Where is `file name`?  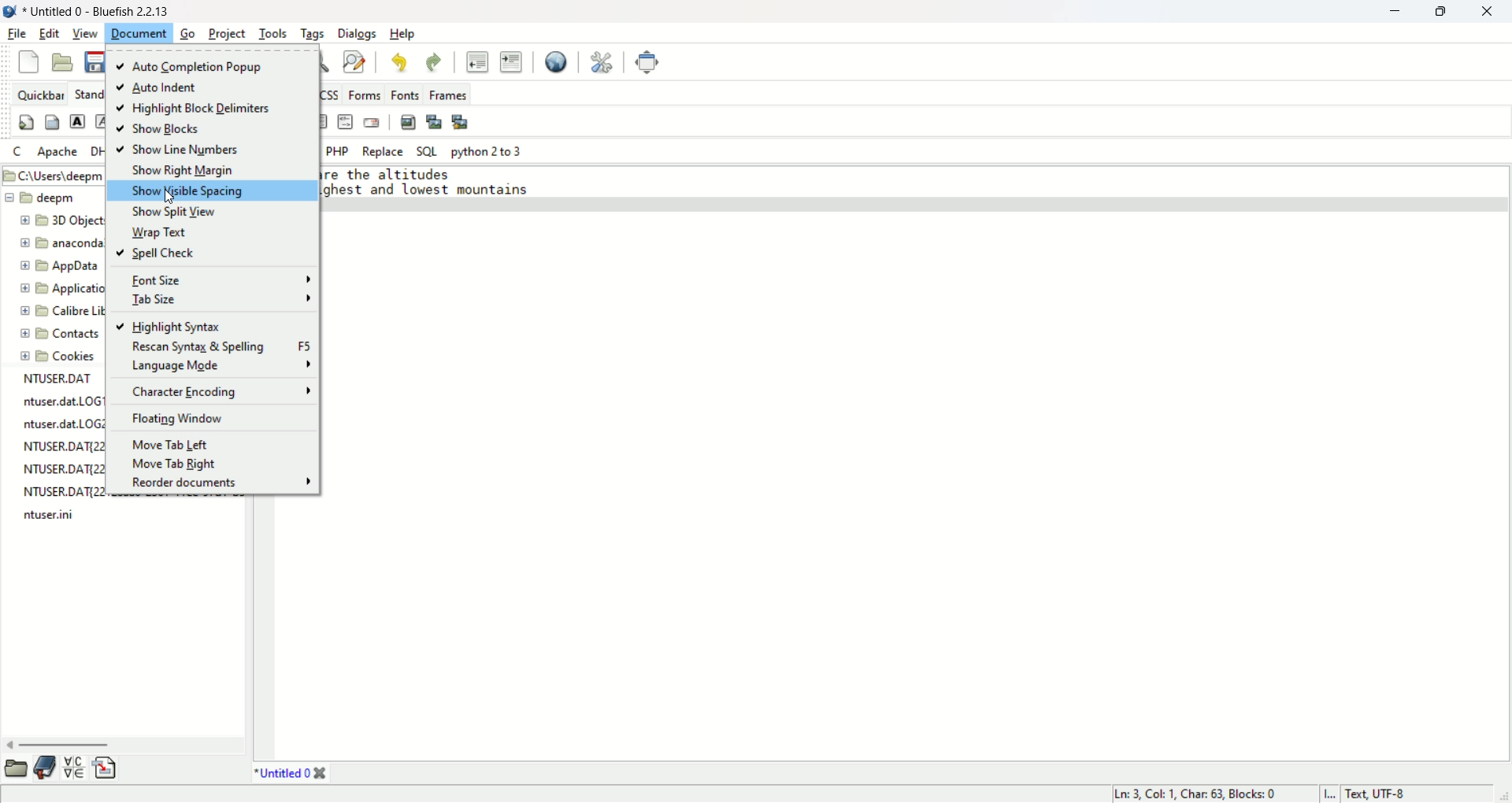
file name is located at coordinates (57, 380).